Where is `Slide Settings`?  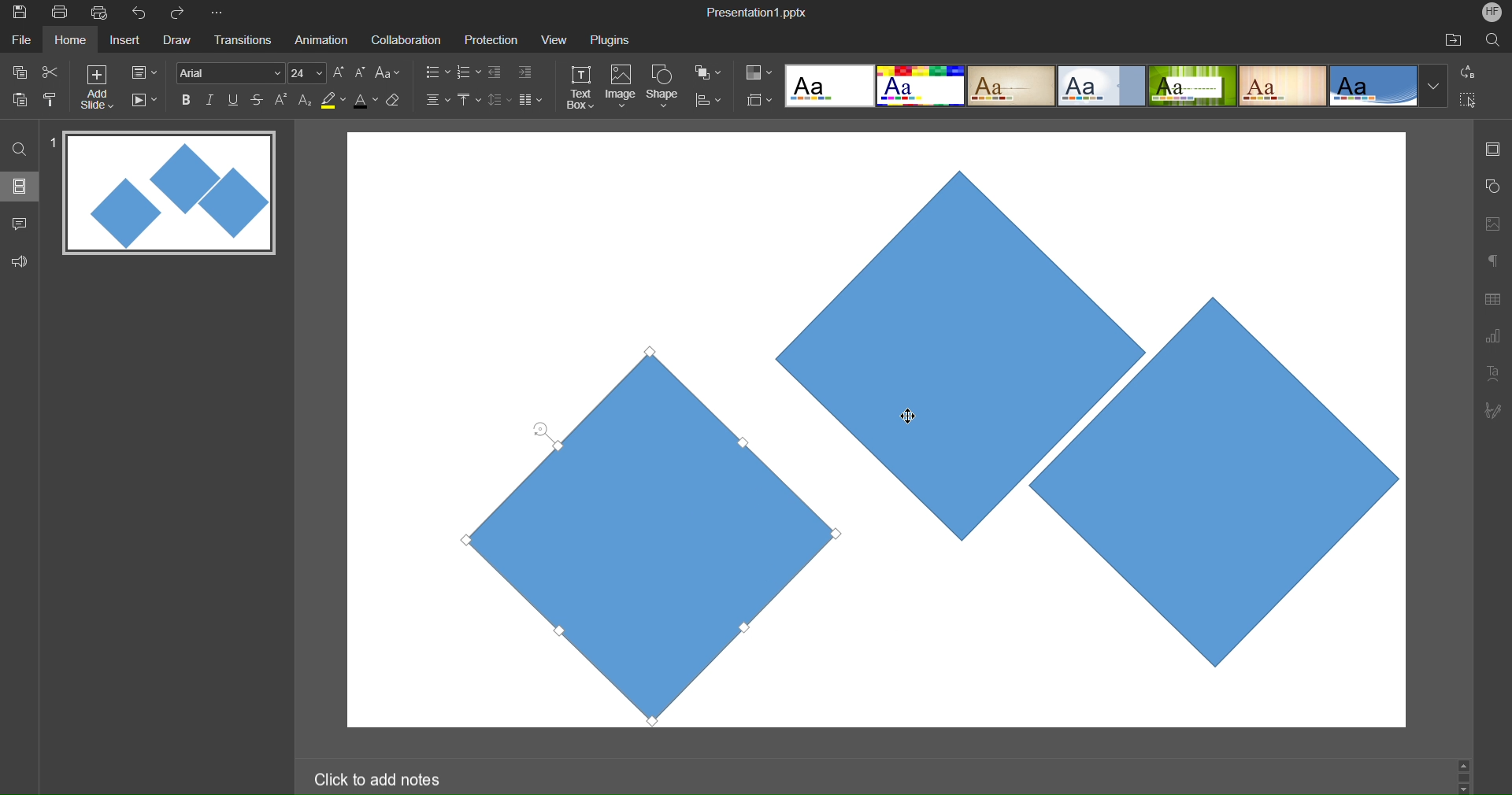
Slide Settings is located at coordinates (144, 72).